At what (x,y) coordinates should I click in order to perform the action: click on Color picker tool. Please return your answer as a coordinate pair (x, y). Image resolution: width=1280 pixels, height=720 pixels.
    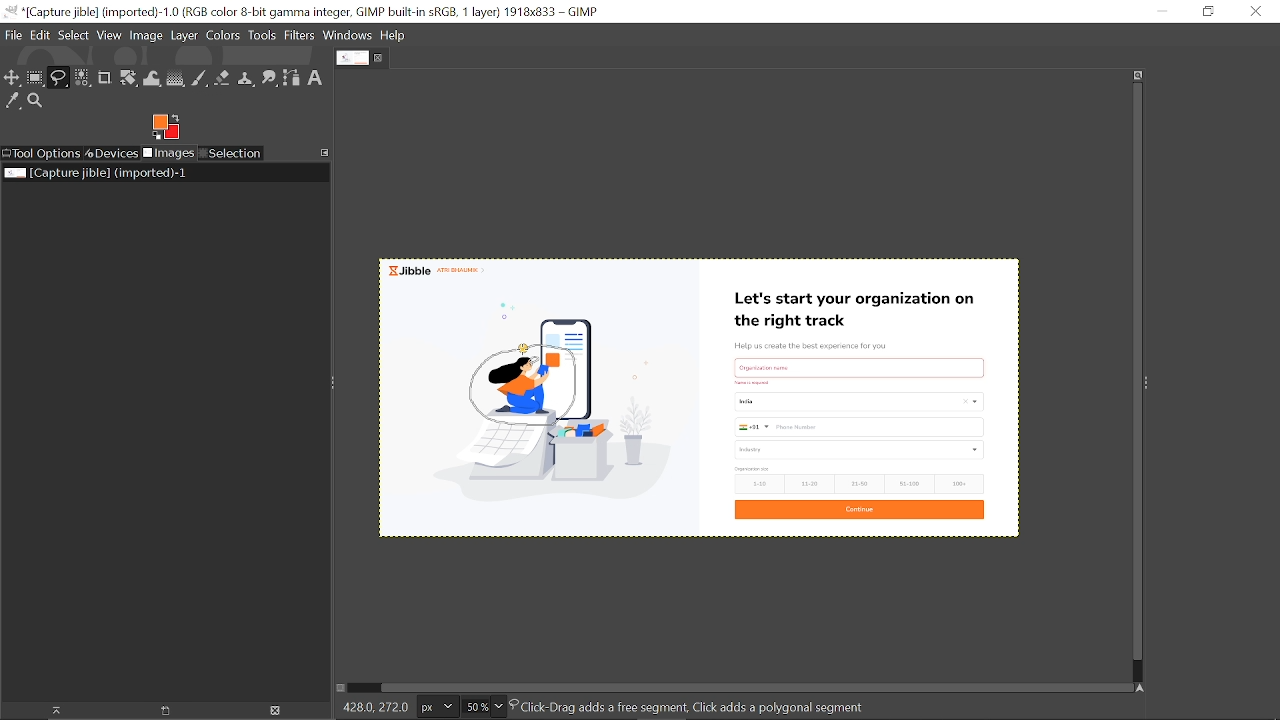
    Looking at the image, I should click on (13, 102).